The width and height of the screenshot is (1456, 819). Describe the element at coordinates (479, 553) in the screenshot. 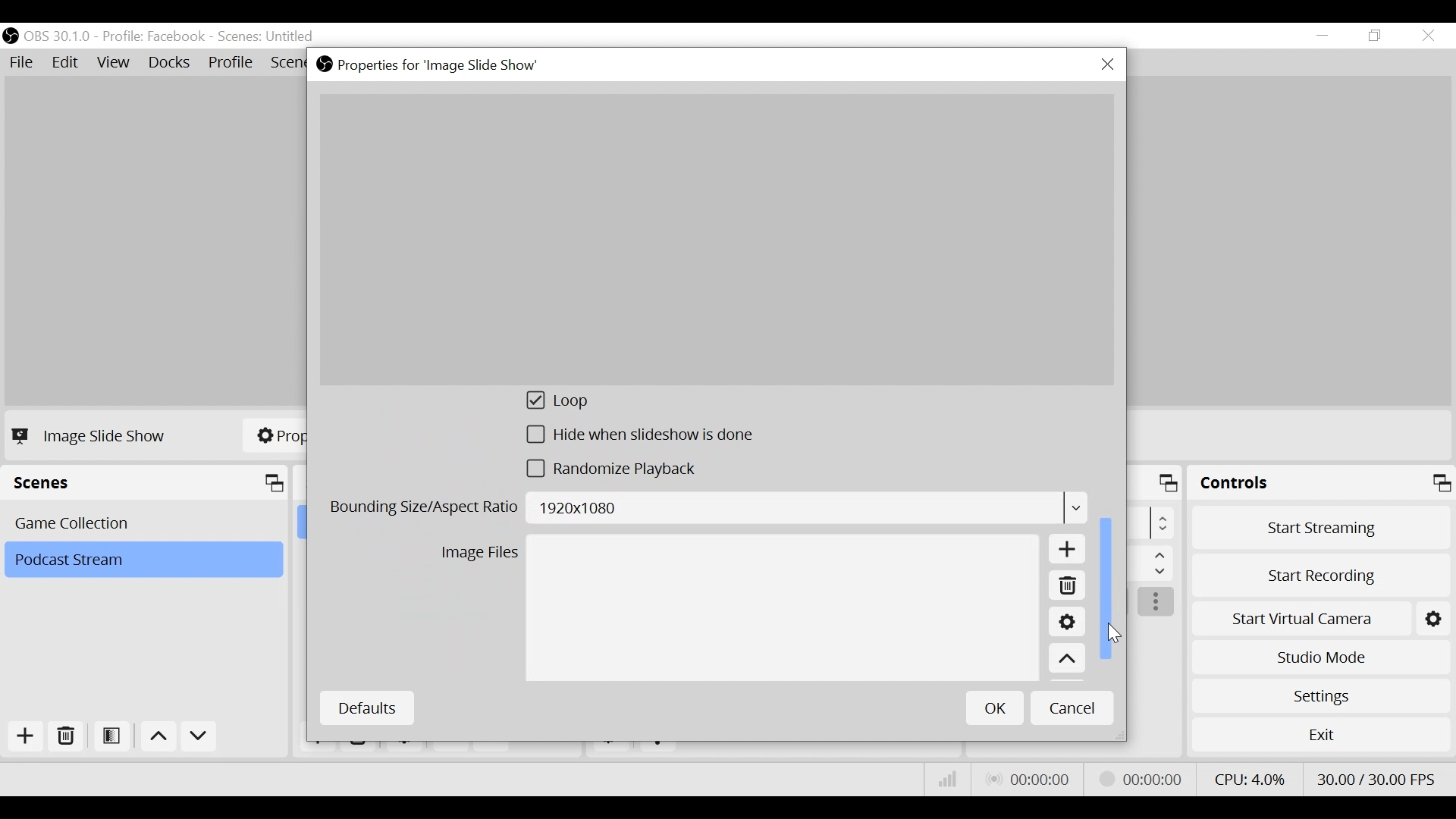

I see `Image Files` at that location.